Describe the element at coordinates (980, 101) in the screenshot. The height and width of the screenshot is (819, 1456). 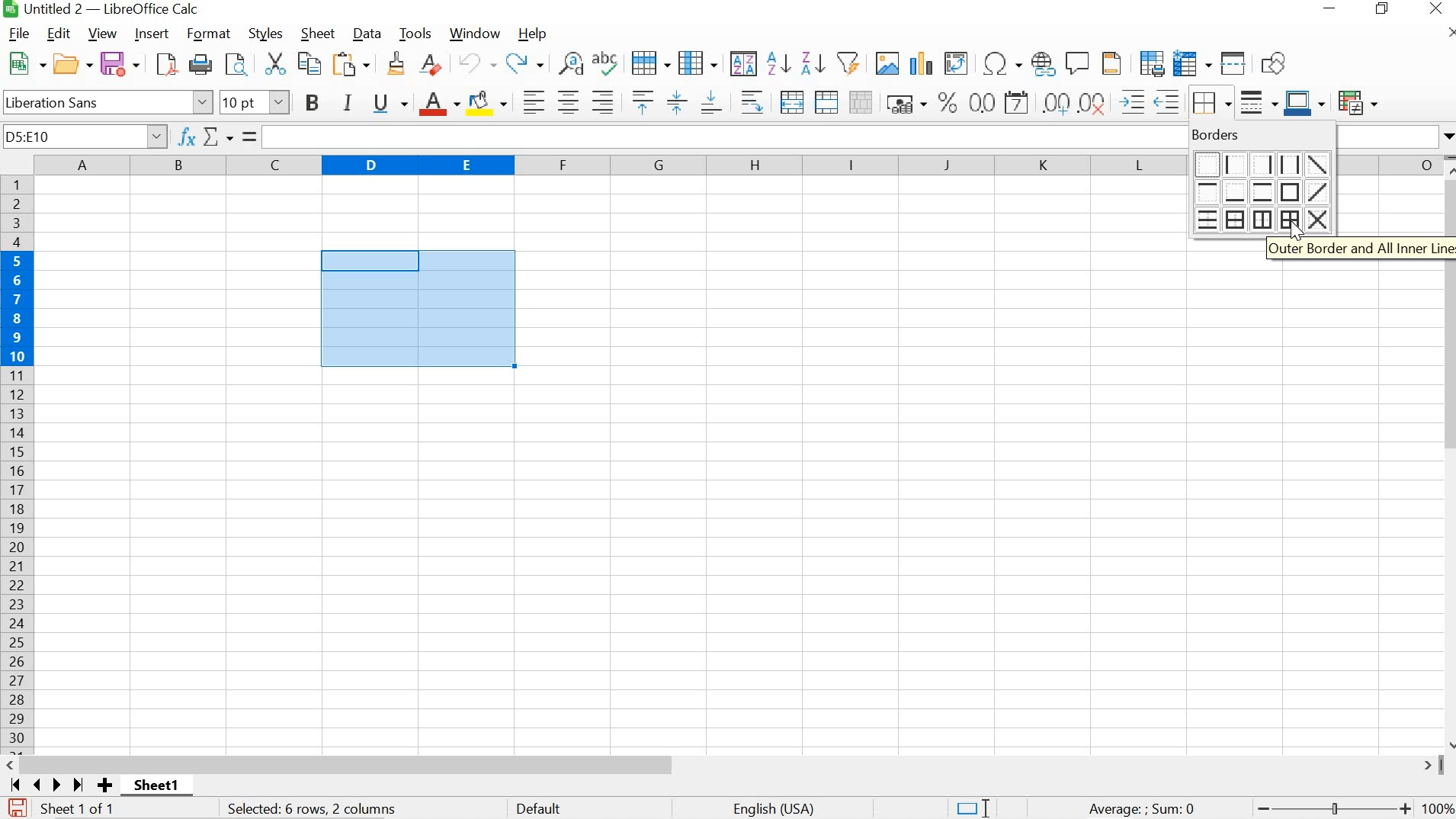
I see `FORMAT AS NUMBER` at that location.